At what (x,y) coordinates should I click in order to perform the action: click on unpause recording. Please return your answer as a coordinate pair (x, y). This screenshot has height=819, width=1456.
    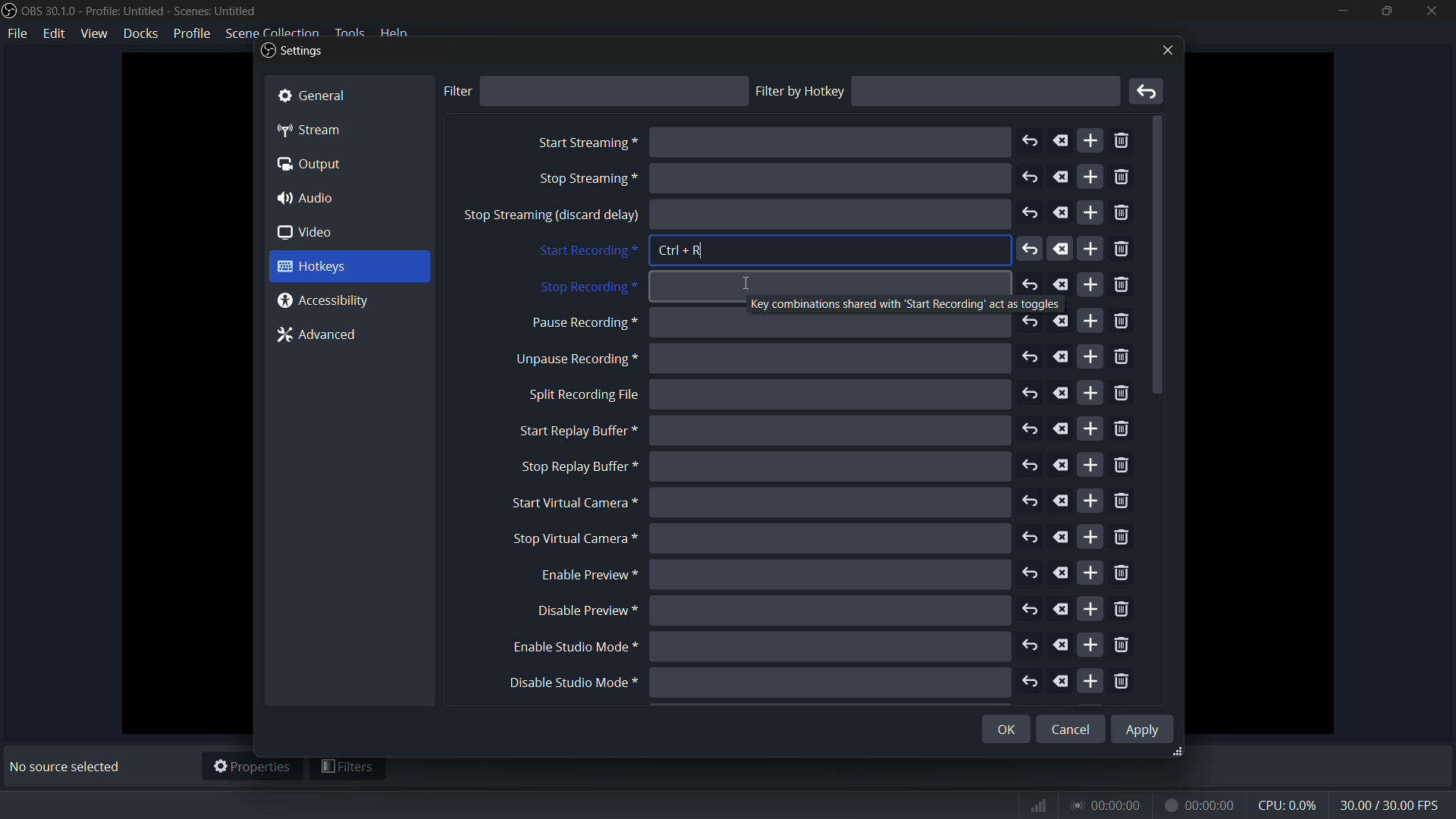
    Looking at the image, I should click on (575, 359).